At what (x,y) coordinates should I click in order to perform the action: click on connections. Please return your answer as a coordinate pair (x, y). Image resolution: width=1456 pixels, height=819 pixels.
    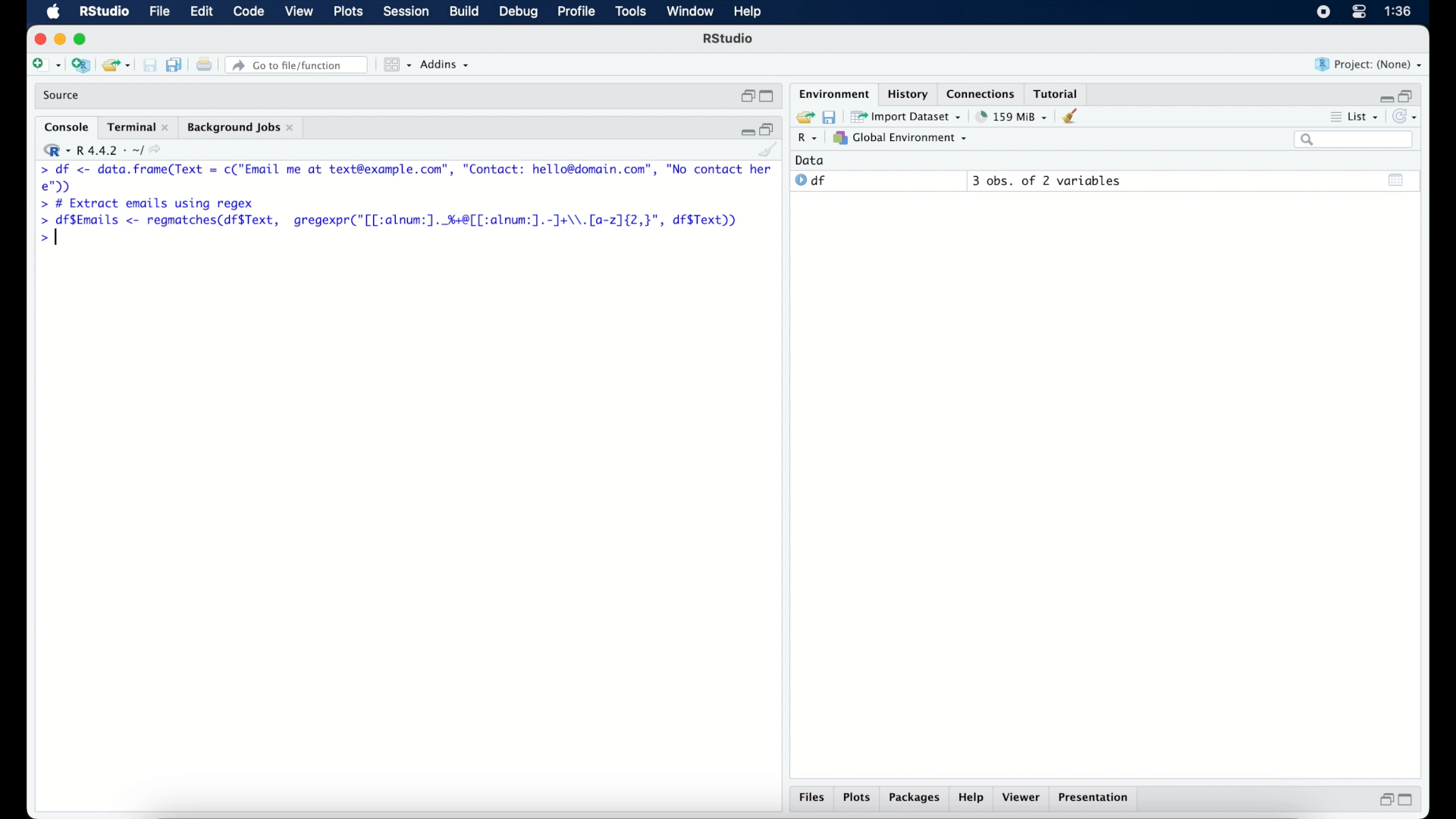
    Looking at the image, I should click on (983, 93).